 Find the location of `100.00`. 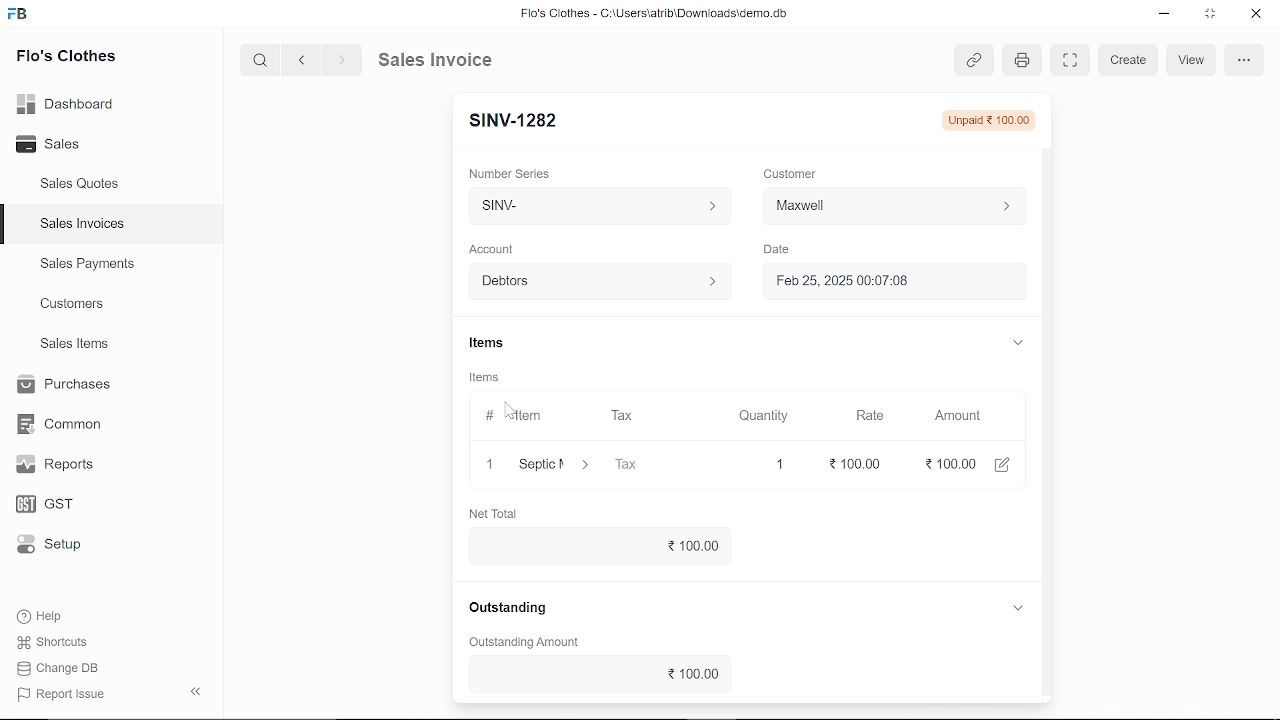

100.00 is located at coordinates (594, 547).